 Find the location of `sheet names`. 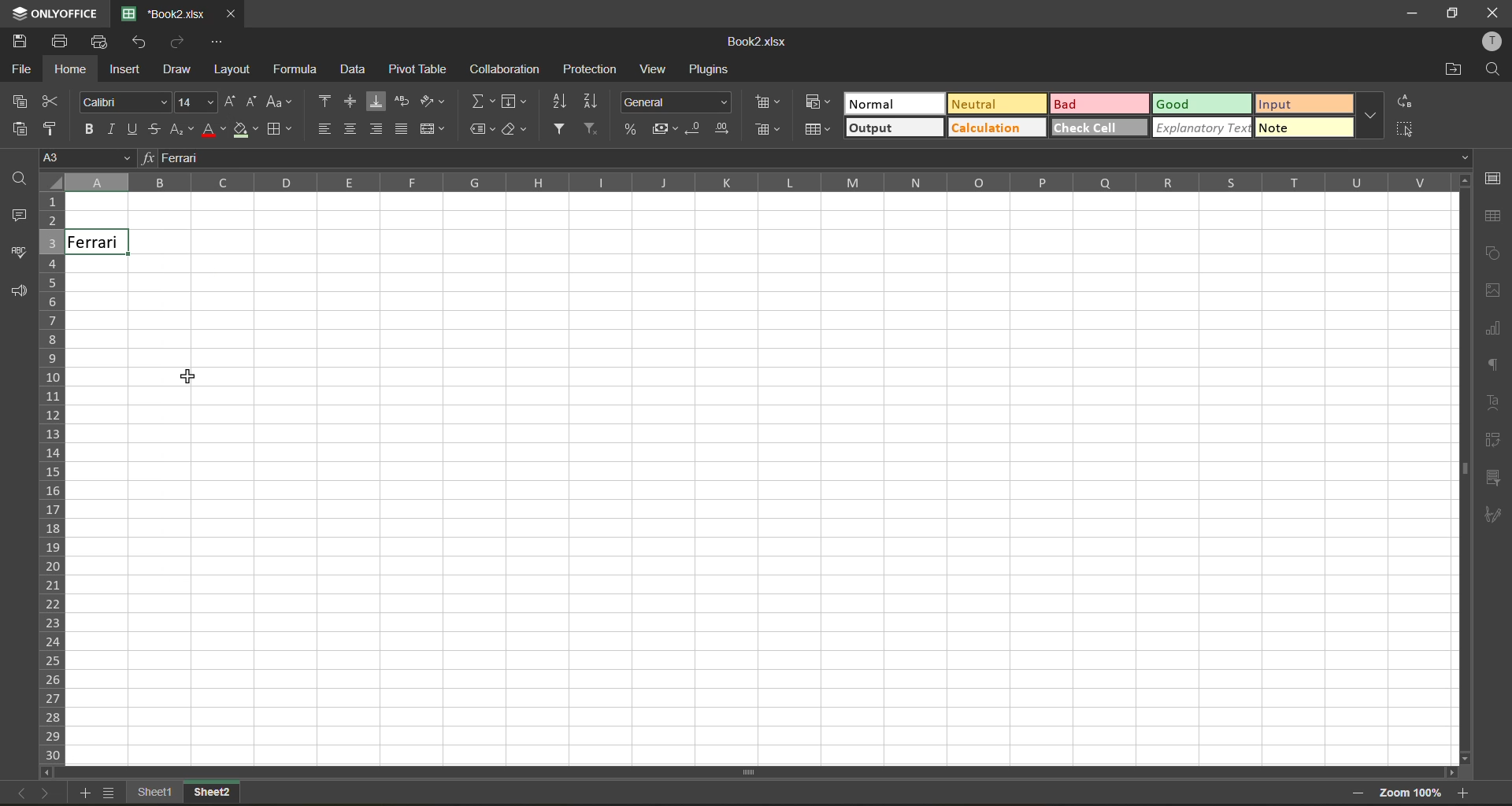

sheet names is located at coordinates (154, 794).